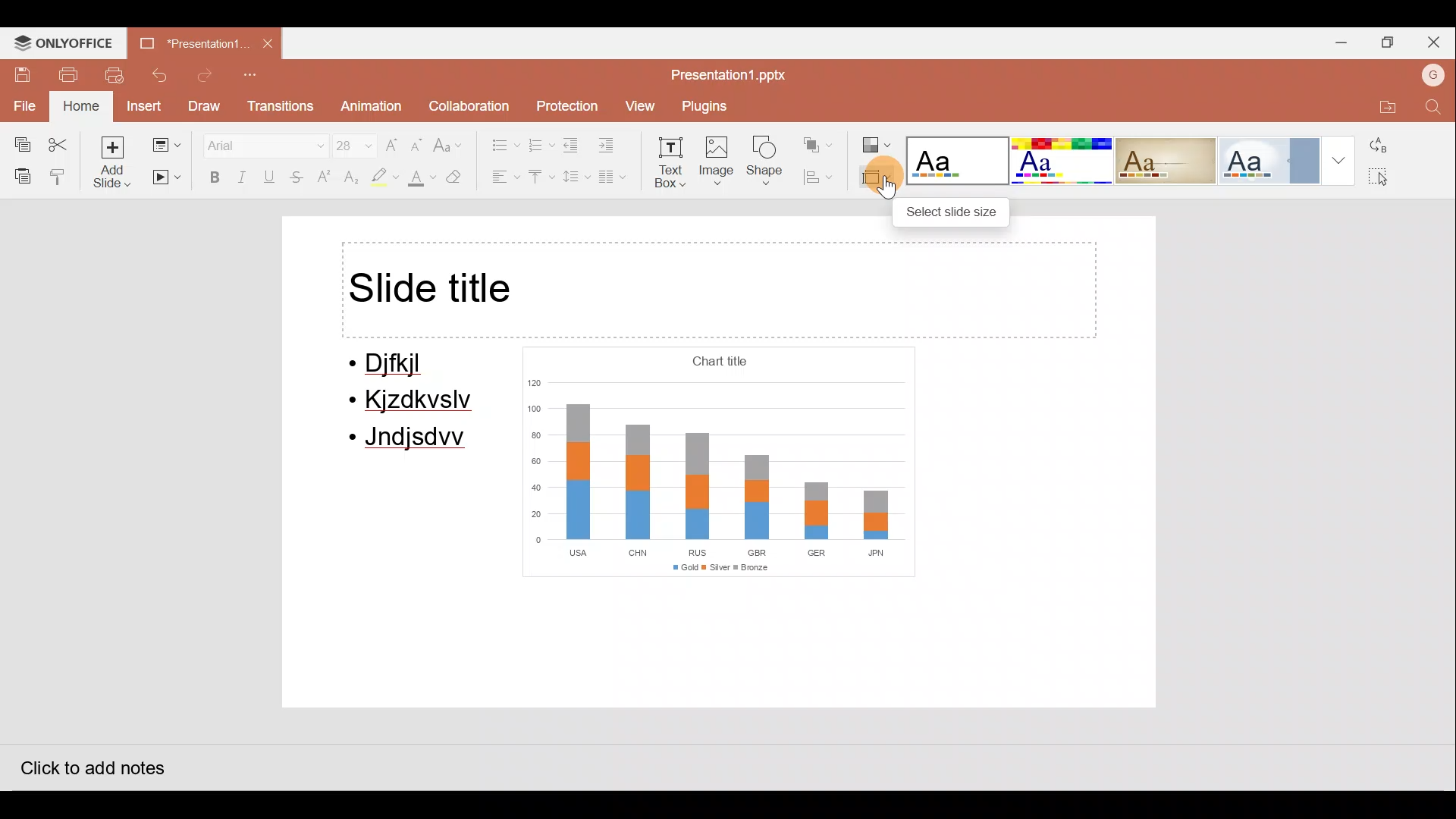 This screenshot has width=1456, height=819. What do you see at coordinates (422, 178) in the screenshot?
I see `Fill color` at bounding box center [422, 178].